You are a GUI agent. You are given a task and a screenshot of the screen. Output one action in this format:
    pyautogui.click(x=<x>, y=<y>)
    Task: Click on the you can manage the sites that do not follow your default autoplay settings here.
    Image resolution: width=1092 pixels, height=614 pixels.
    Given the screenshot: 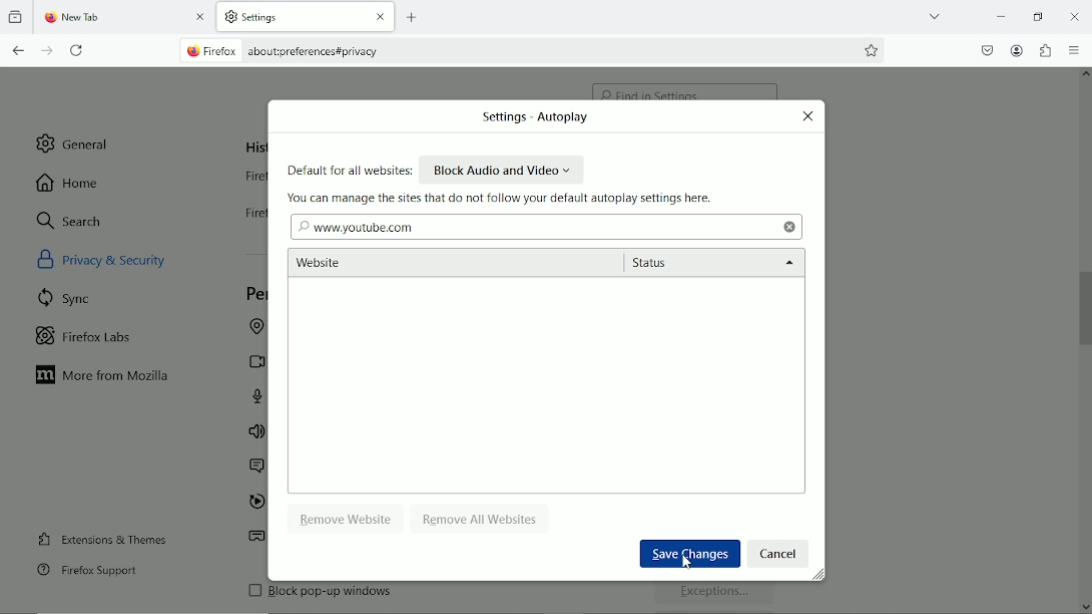 What is the action you would take?
    pyautogui.click(x=503, y=198)
    